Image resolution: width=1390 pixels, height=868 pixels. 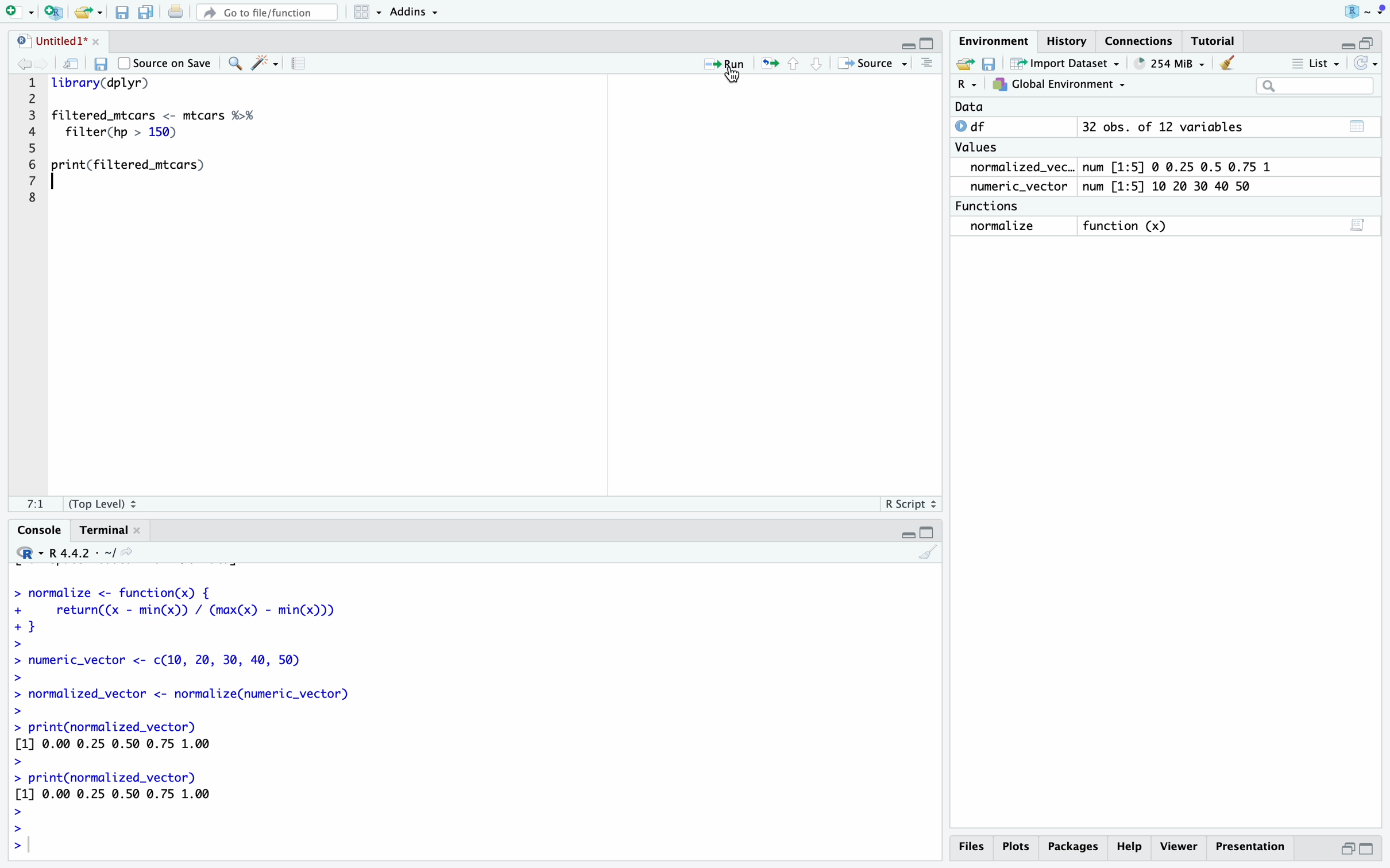 What do you see at coordinates (77, 553) in the screenshot?
I see `R 4.4.2 . ~/` at bounding box center [77, 553].